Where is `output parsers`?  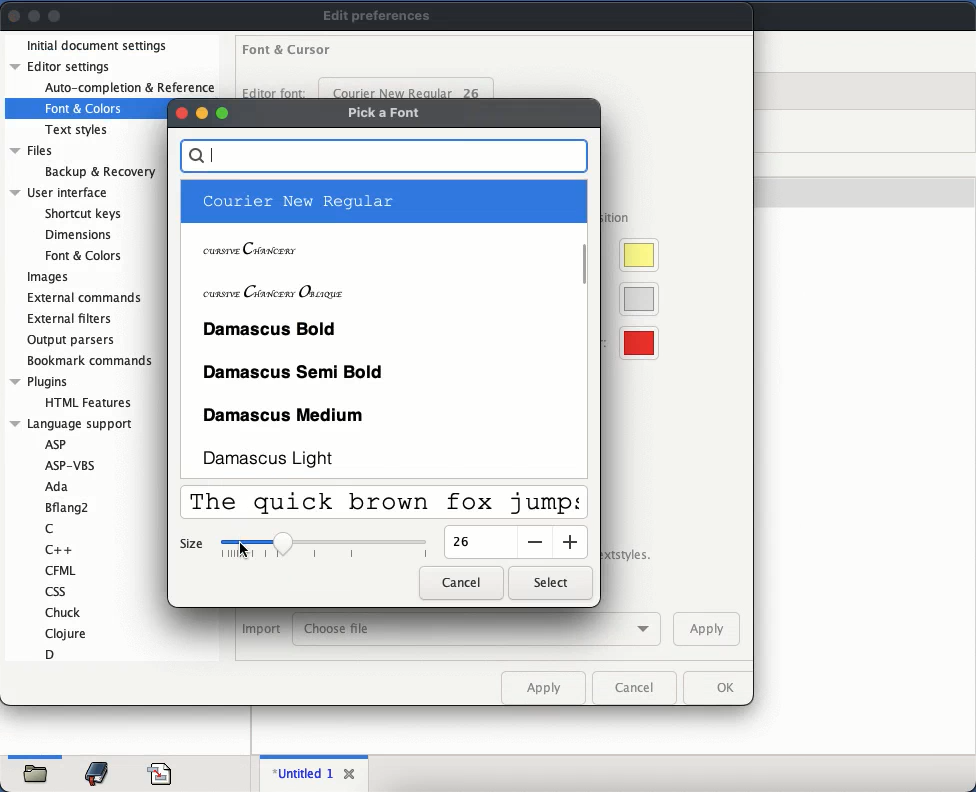 output parsers is located at coordinates (73, 340).